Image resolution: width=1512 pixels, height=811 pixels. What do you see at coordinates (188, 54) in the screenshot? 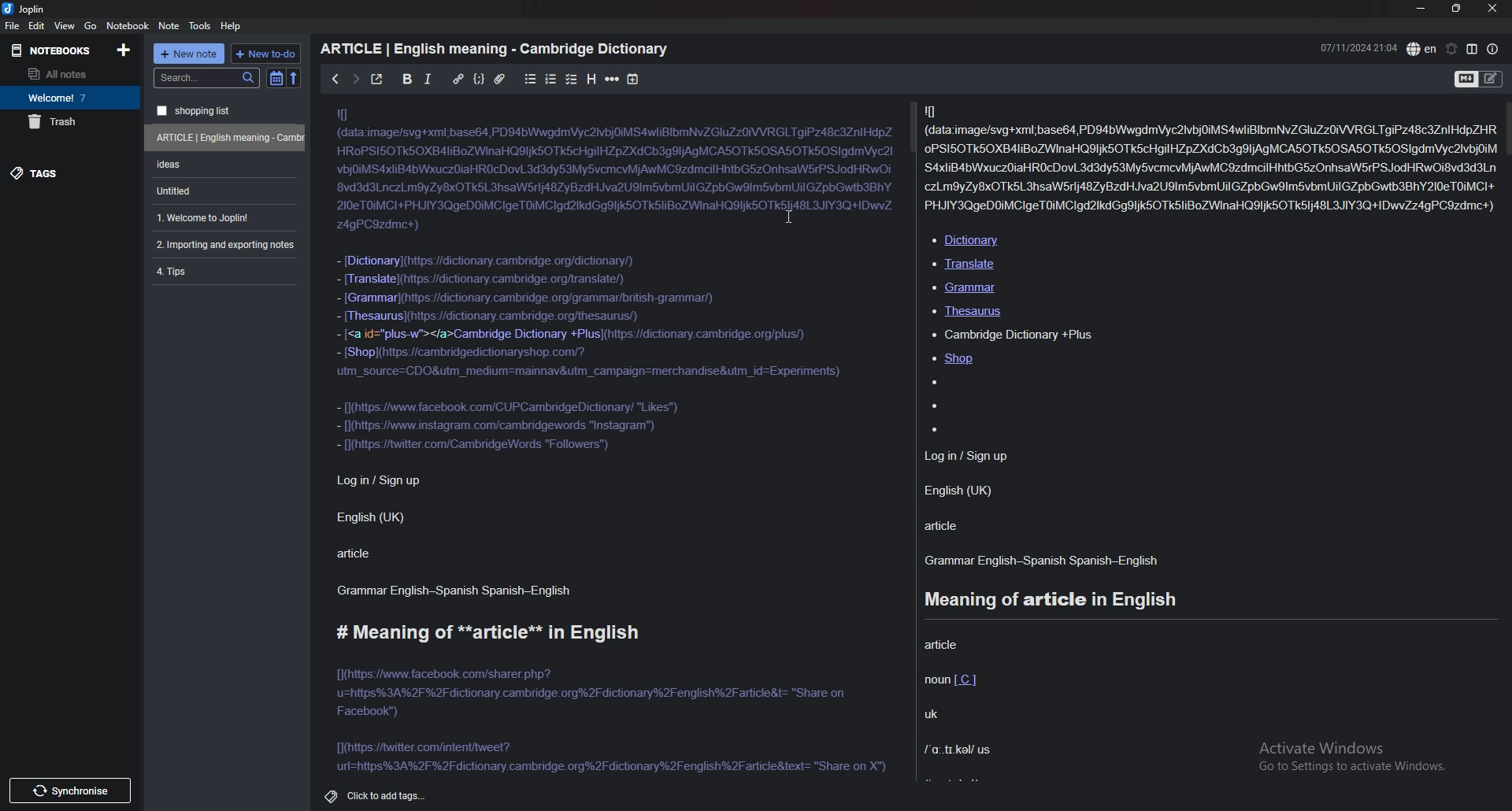
I see `new note` at bounding box center [188, 54].